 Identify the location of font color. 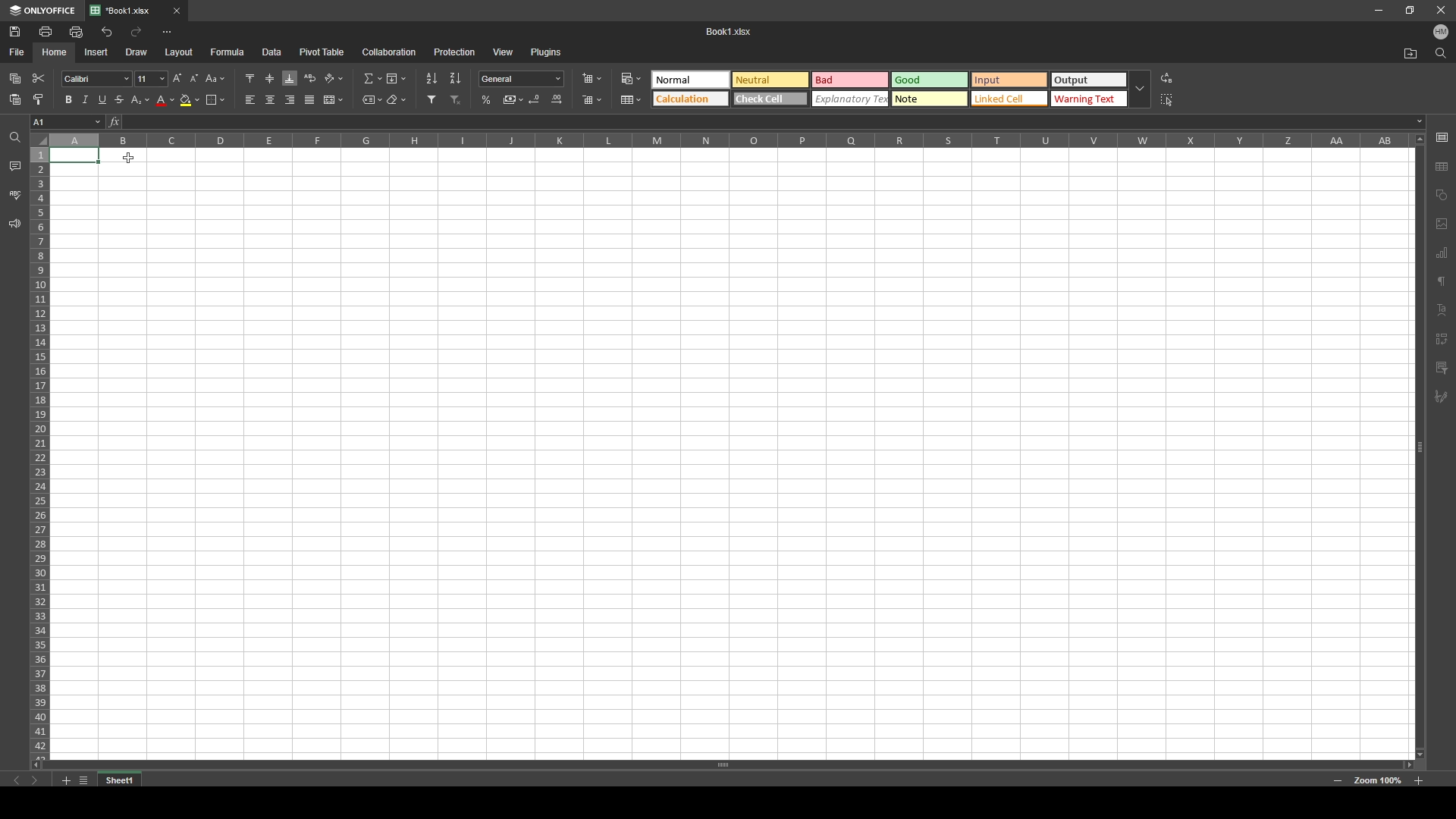
(165, 101).